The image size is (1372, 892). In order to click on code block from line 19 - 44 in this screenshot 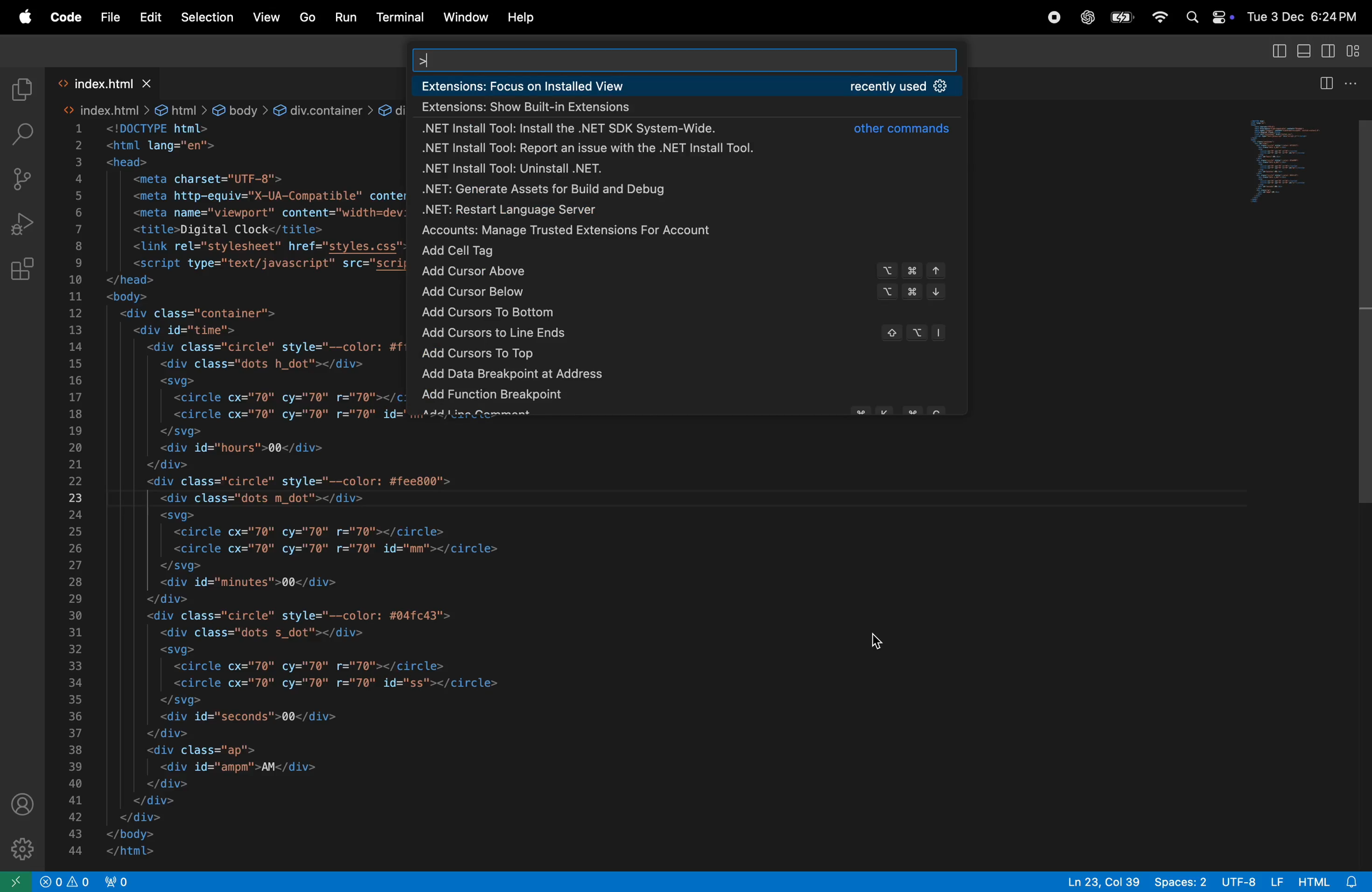, I will do `click(385, 640)`.